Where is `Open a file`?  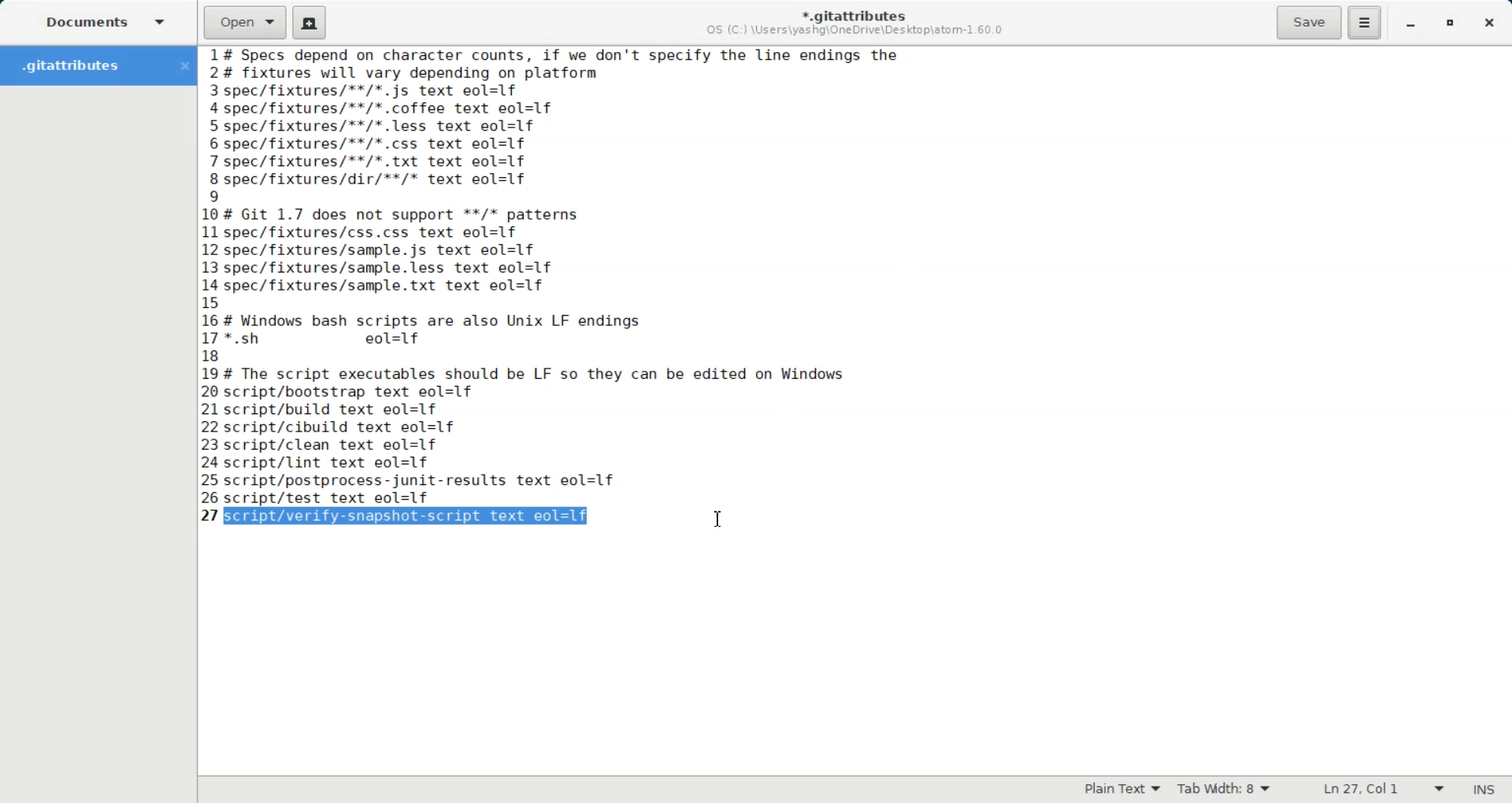
Open a file is located at coordinates (245, 21).